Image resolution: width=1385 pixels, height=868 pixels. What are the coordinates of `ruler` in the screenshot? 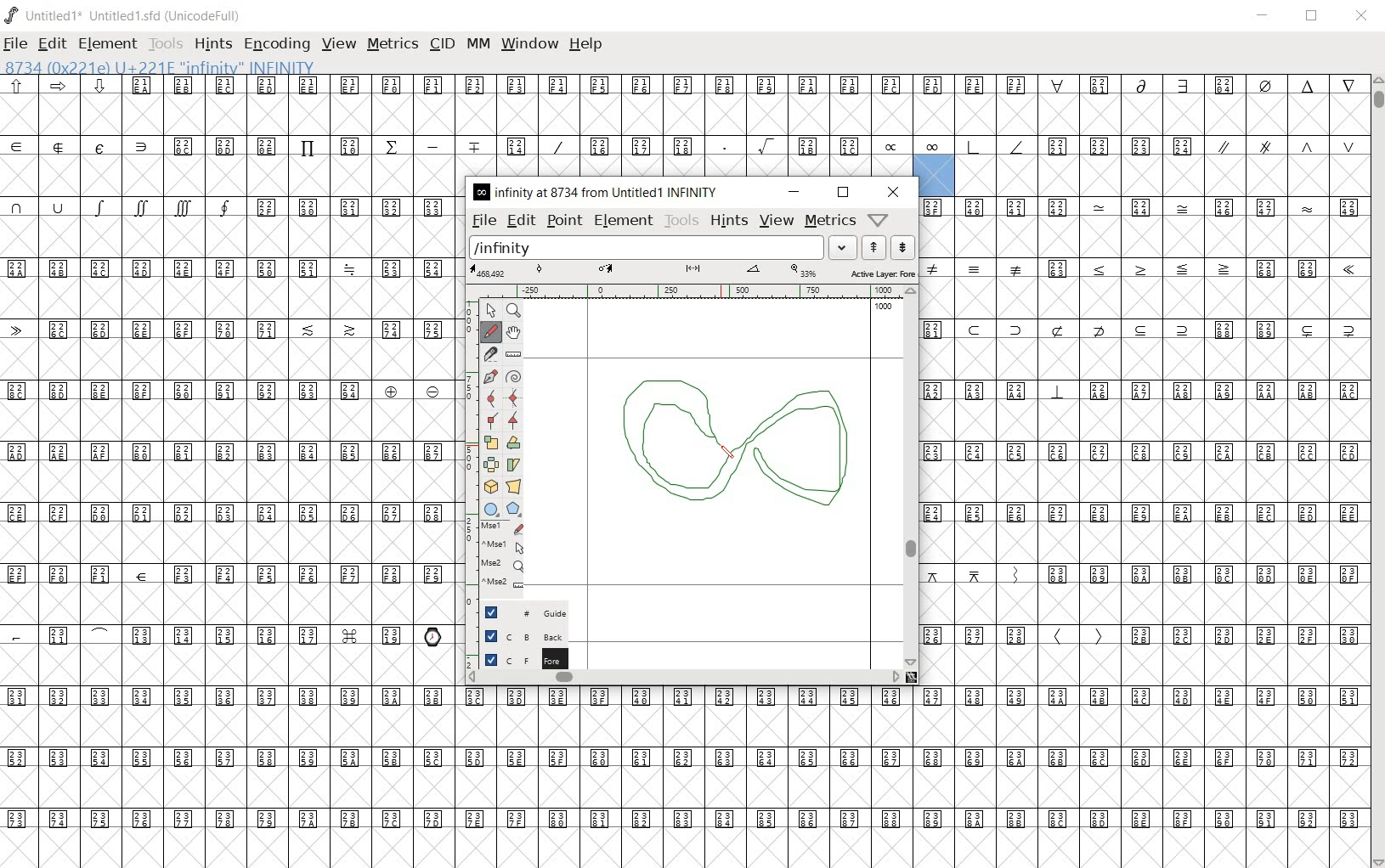 It's located at (691, 291).